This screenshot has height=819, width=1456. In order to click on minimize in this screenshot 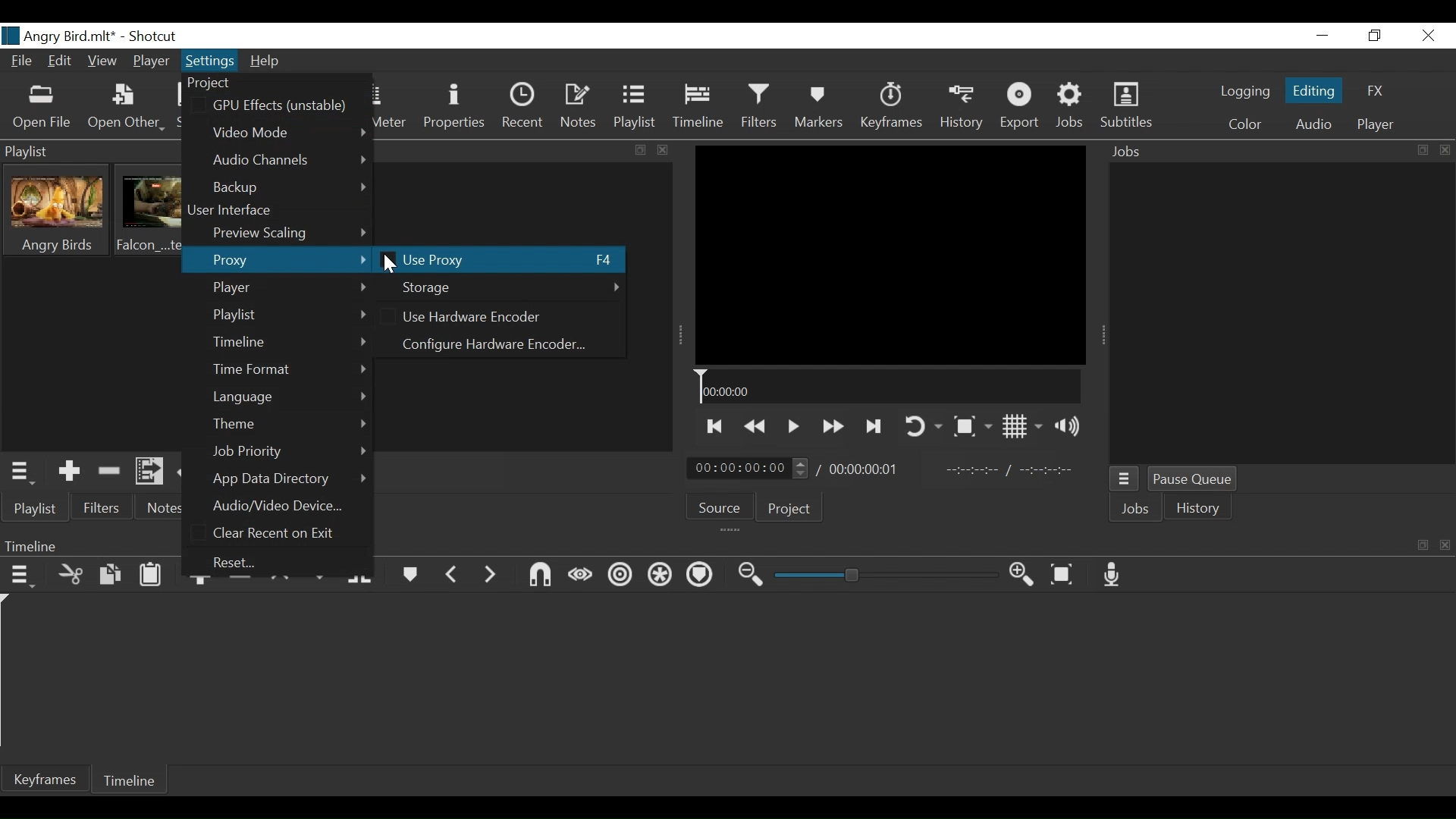, I will do `click(1321, 36)`.